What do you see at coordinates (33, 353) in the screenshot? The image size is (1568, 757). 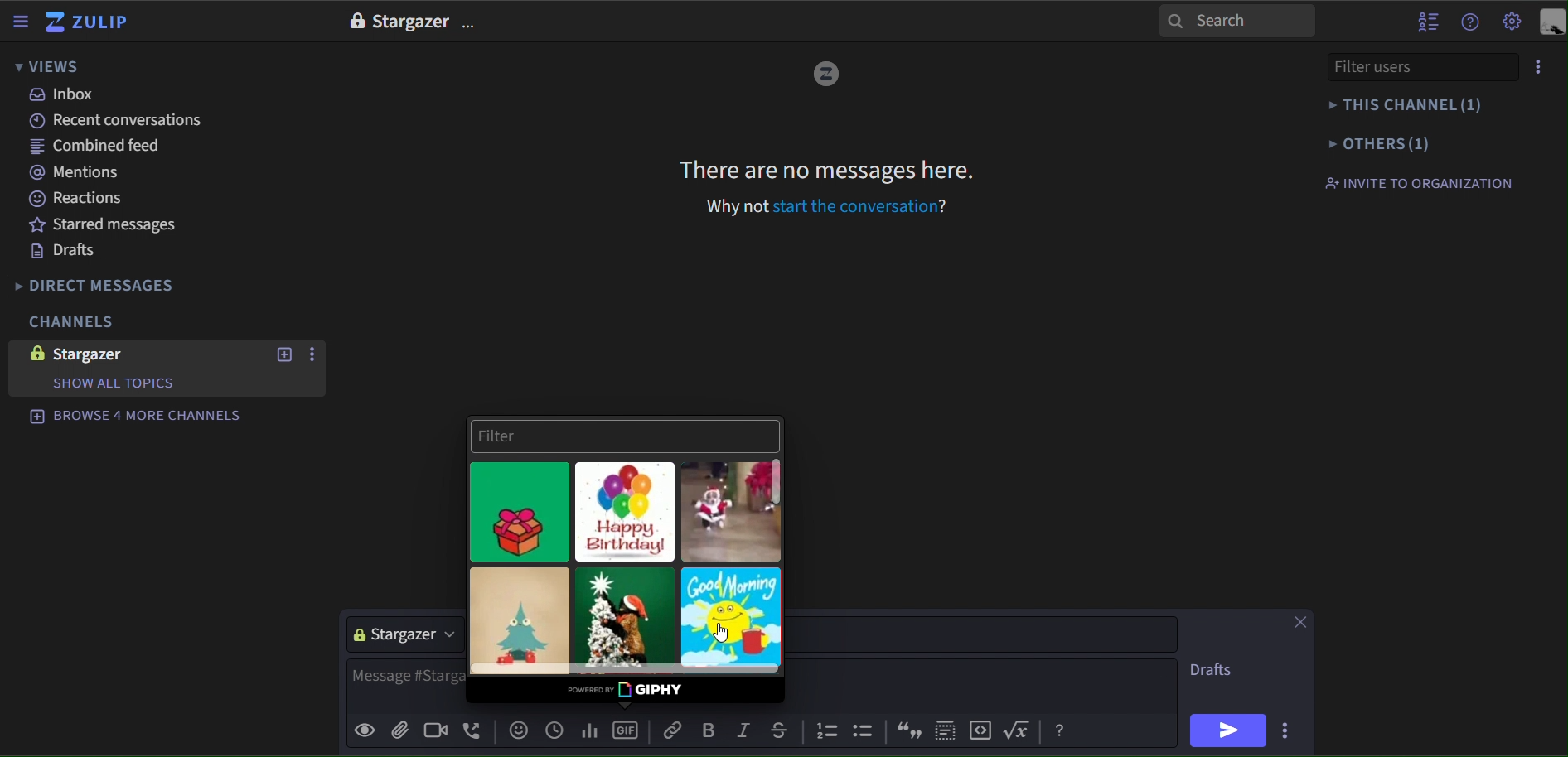 I see `image` at bounding box center [33, 353].